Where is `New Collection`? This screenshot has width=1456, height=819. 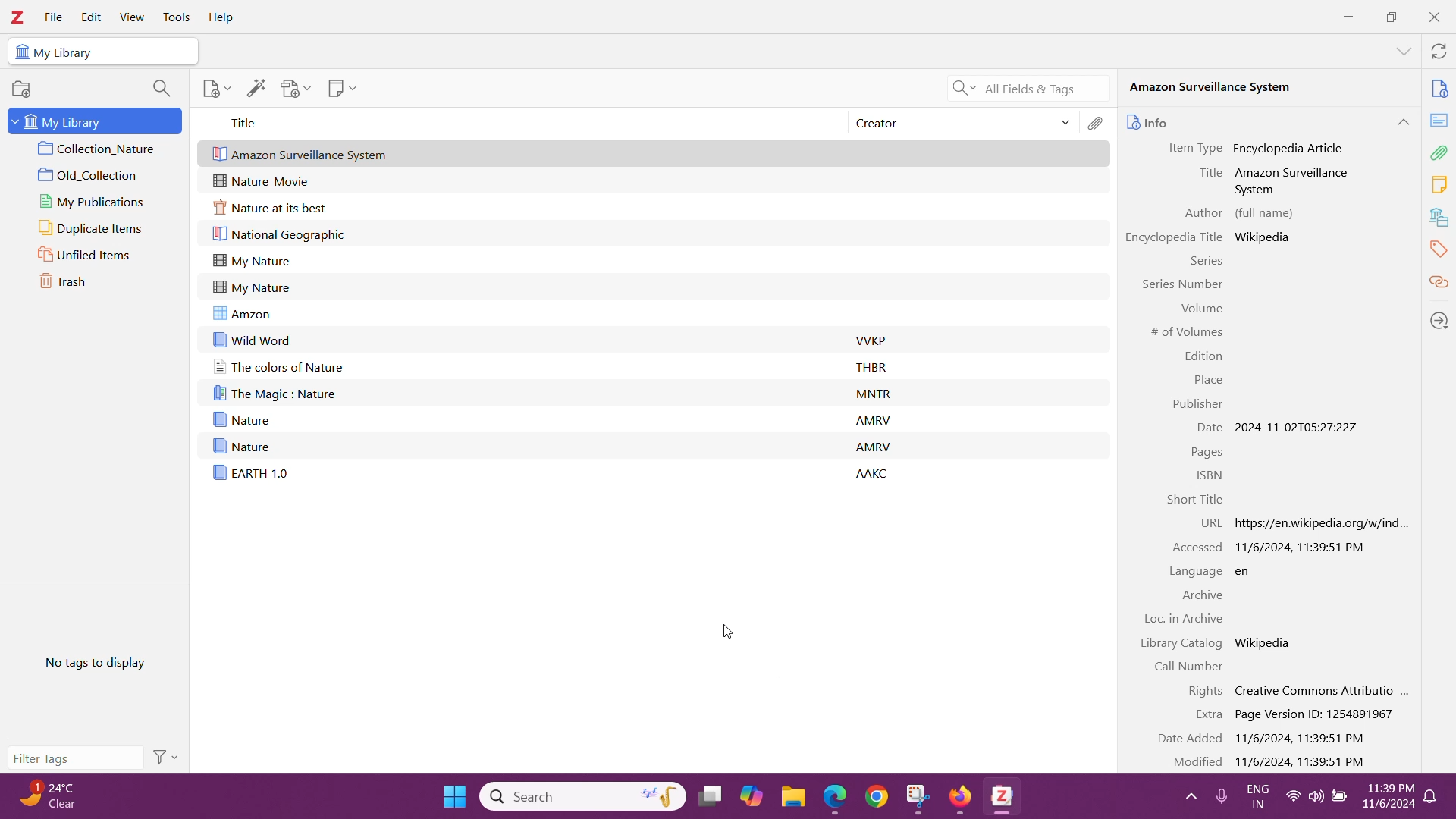 New Collection is located at coordinates (20, 89).